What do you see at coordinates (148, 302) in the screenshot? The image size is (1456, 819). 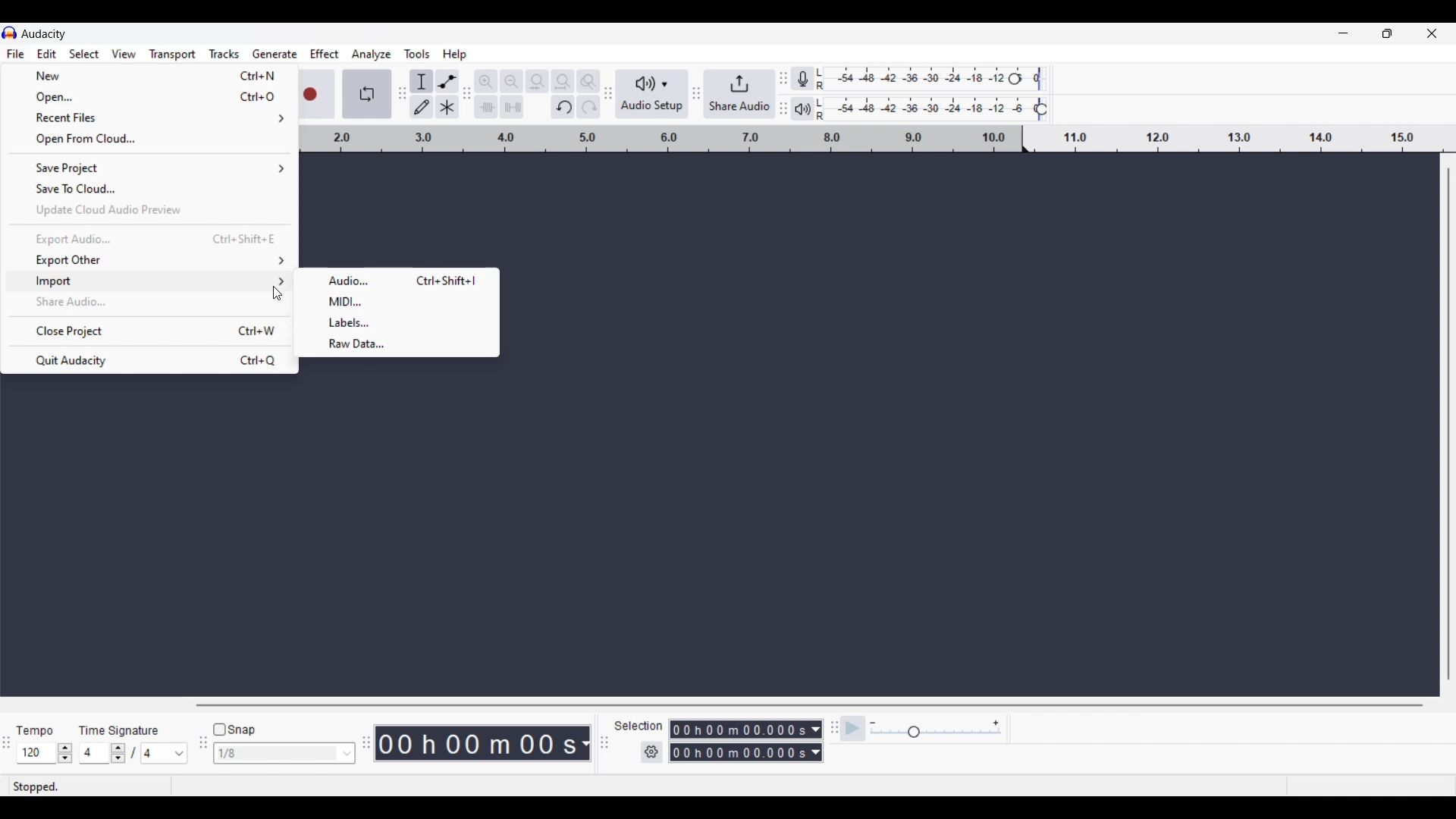 I see `Share audio` at bounding box center [148, 302].